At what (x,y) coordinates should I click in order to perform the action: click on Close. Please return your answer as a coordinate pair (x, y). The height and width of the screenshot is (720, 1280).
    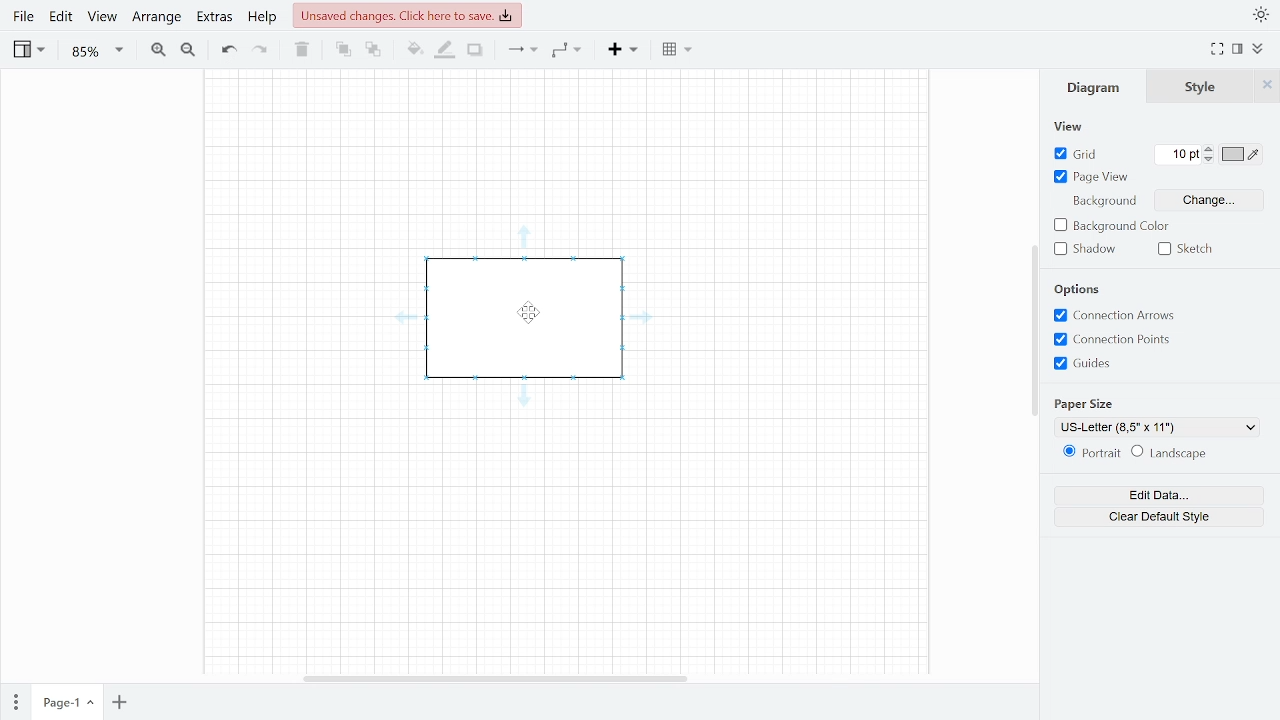
    Looking at the image, I should click on (1267, 84).